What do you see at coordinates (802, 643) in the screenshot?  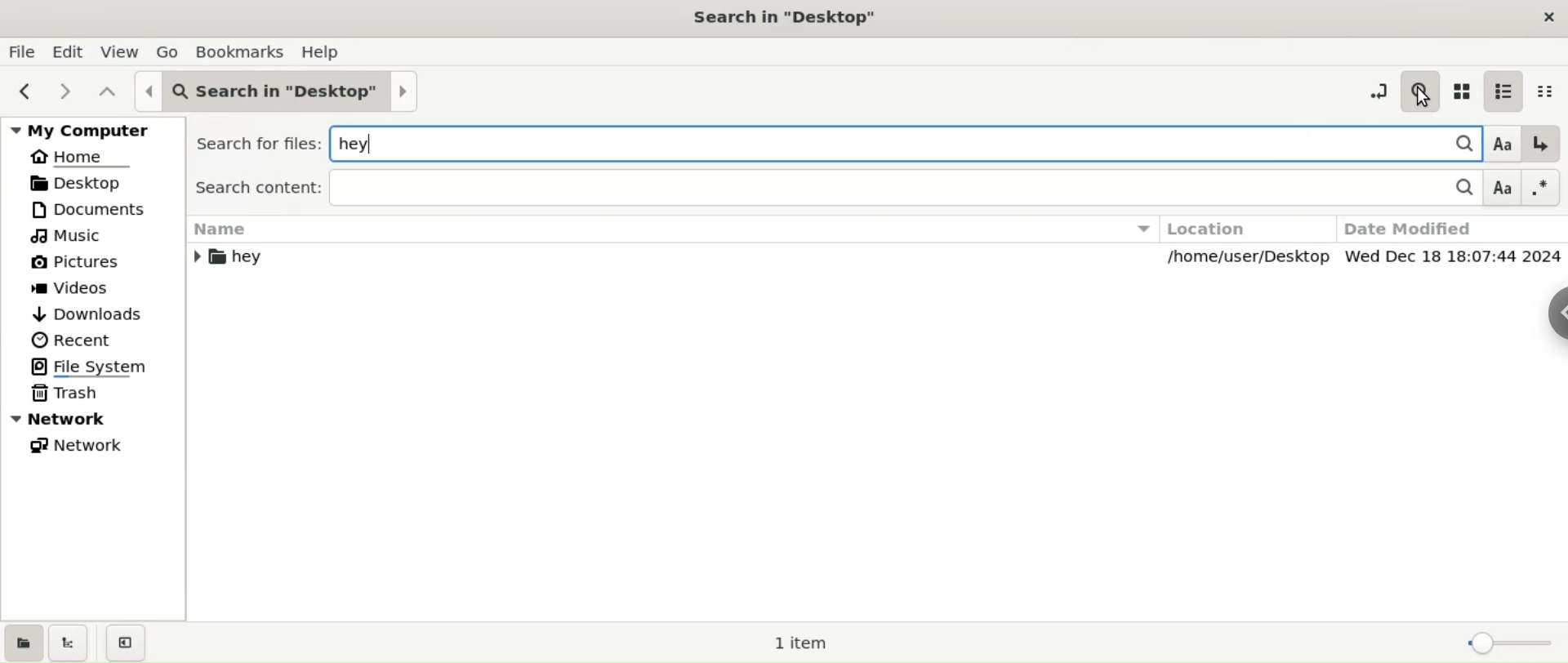 I see `1 item` at bounding box center [802, 643].